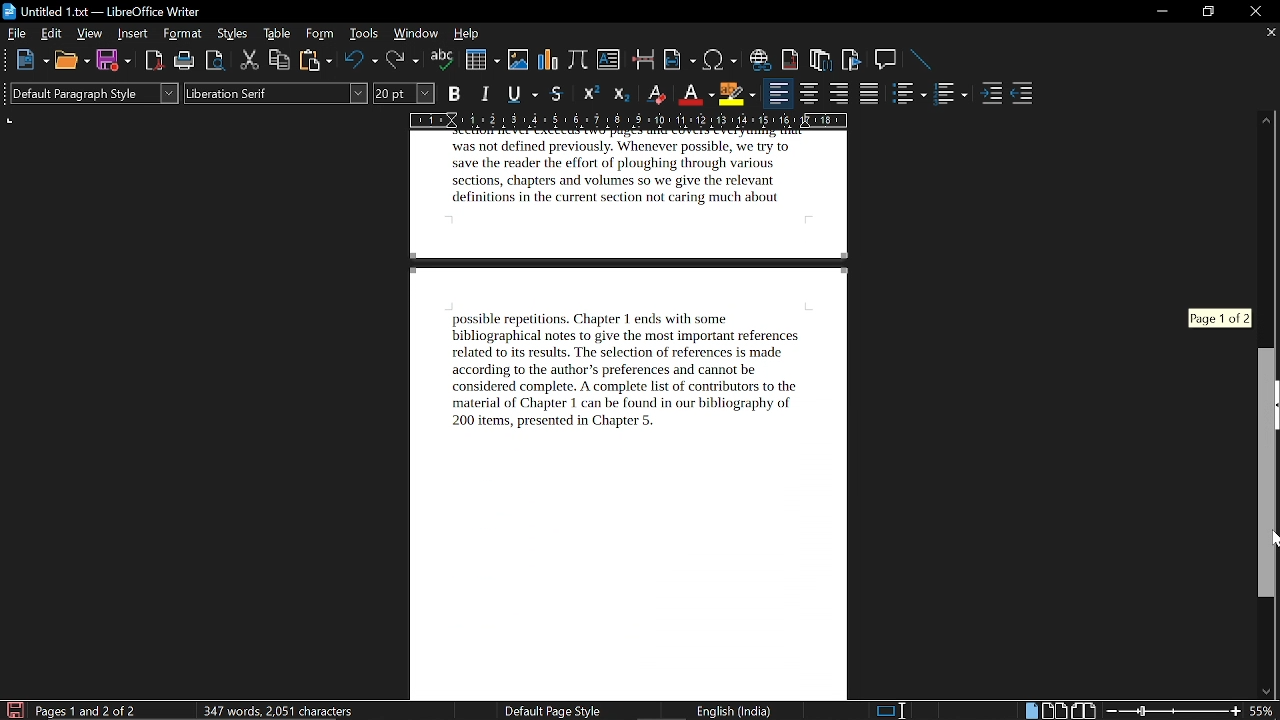  I want to click on edit, so click(50, 33).